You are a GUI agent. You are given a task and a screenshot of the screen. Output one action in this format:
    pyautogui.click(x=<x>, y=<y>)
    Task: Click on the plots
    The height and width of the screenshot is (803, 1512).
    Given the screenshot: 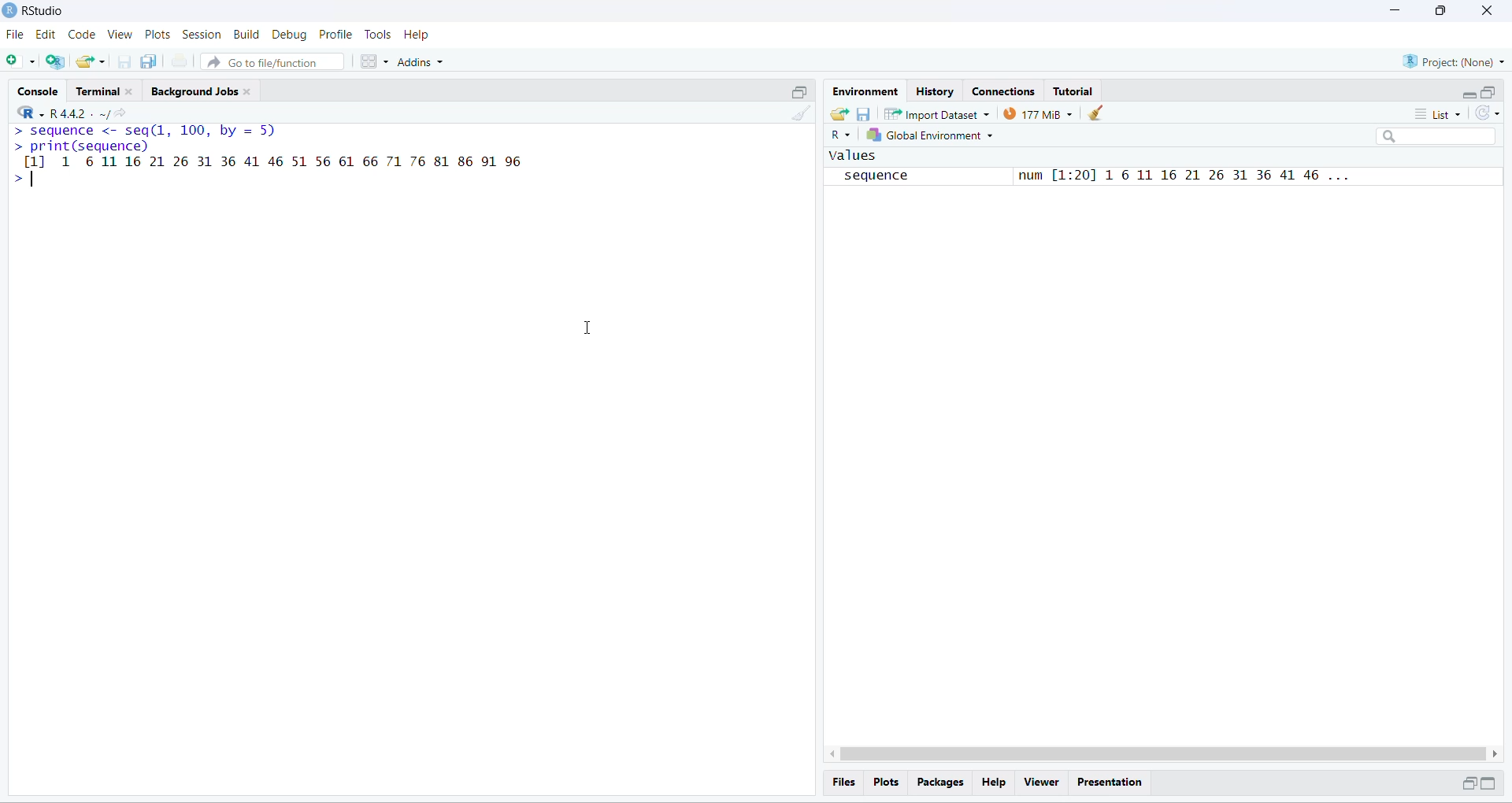 What is the action you would take?
    pyautogui.click(x=158, y=35)
    